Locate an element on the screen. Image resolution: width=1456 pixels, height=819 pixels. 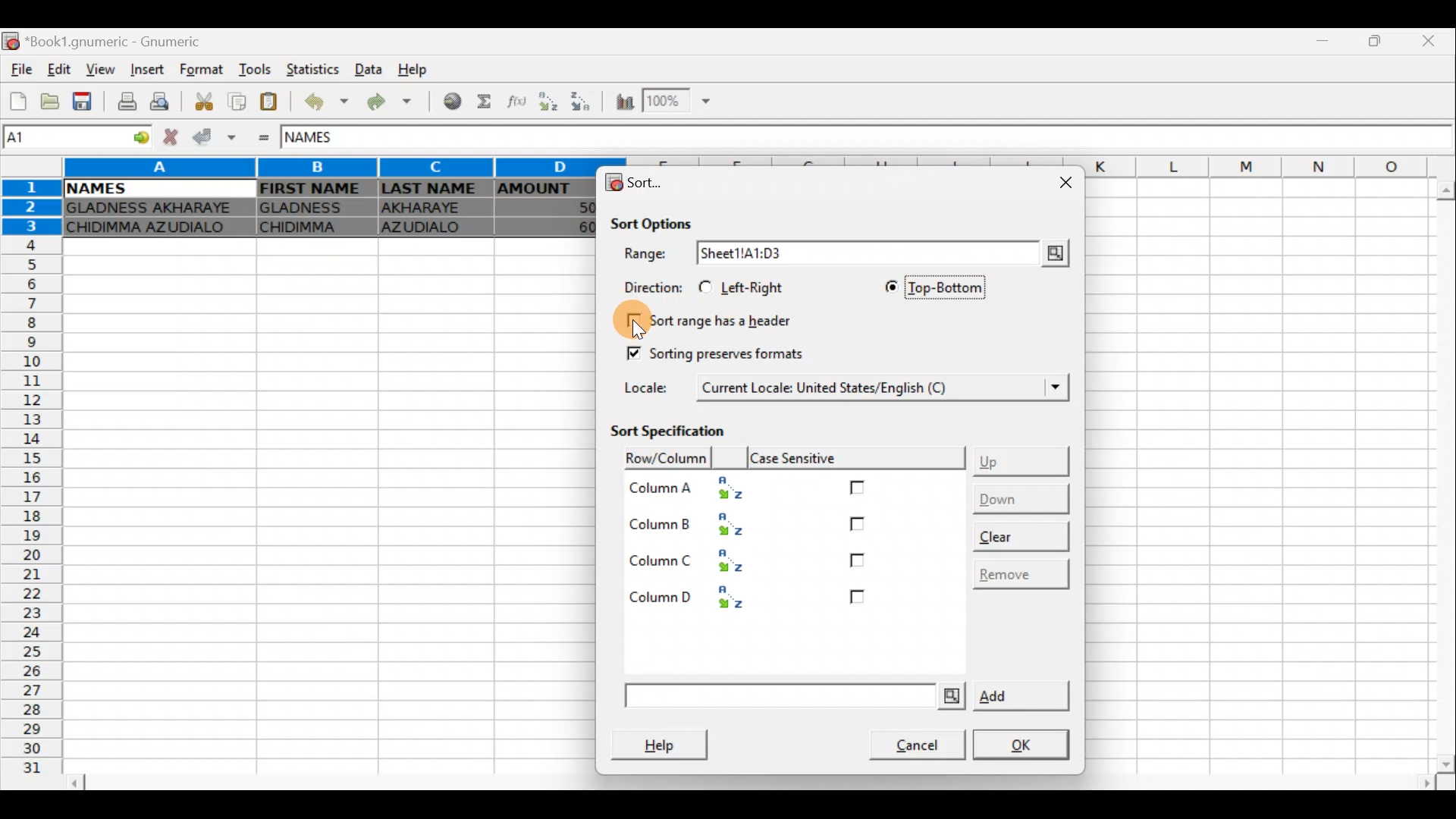
Sort Descending order is located at coordinates (579, 101).